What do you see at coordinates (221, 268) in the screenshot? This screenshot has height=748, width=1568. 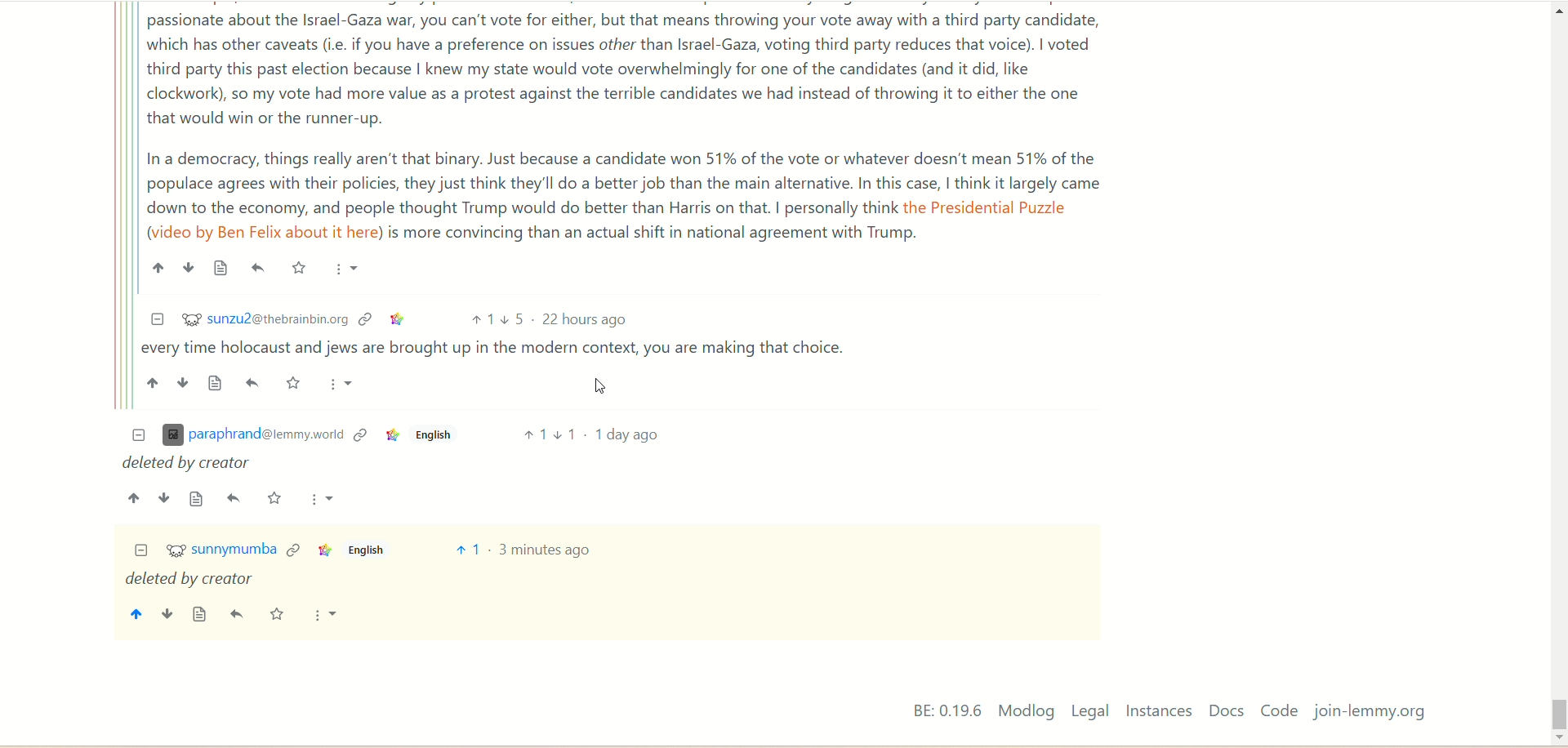 I see `Source` at bounding box center [221, 268].